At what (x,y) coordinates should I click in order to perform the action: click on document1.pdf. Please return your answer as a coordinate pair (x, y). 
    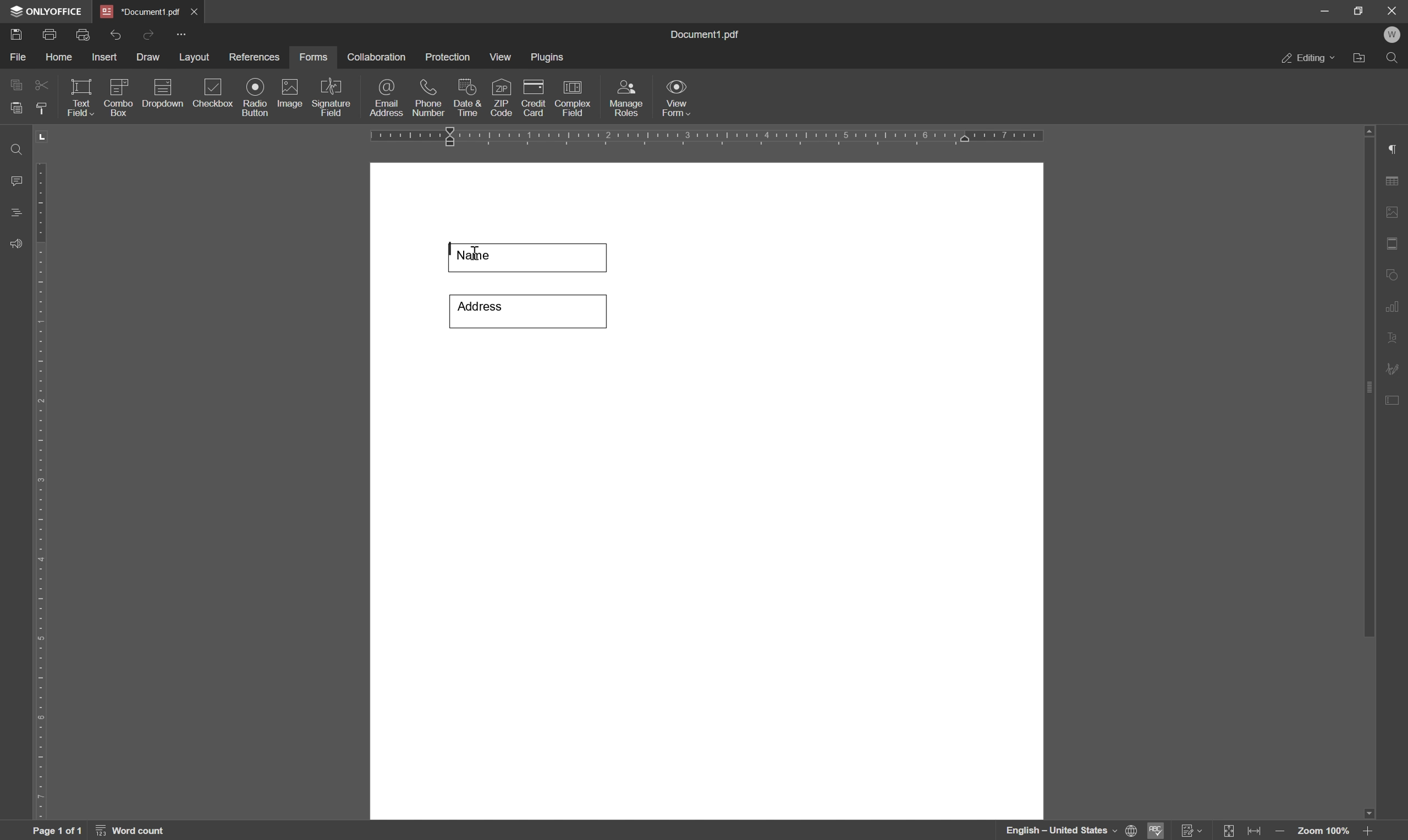
    Looking at the image, I should click on (707, 36).